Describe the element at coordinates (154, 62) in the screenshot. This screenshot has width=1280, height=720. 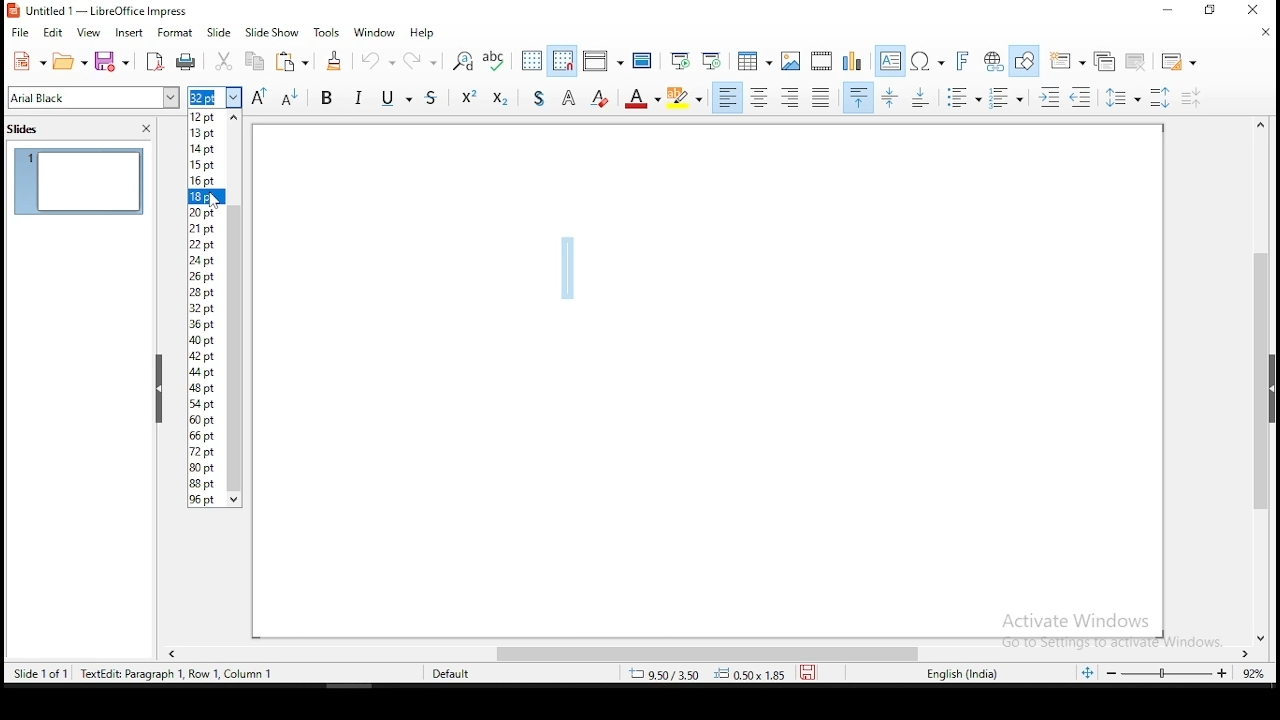
I see `export as pdf` at that location.